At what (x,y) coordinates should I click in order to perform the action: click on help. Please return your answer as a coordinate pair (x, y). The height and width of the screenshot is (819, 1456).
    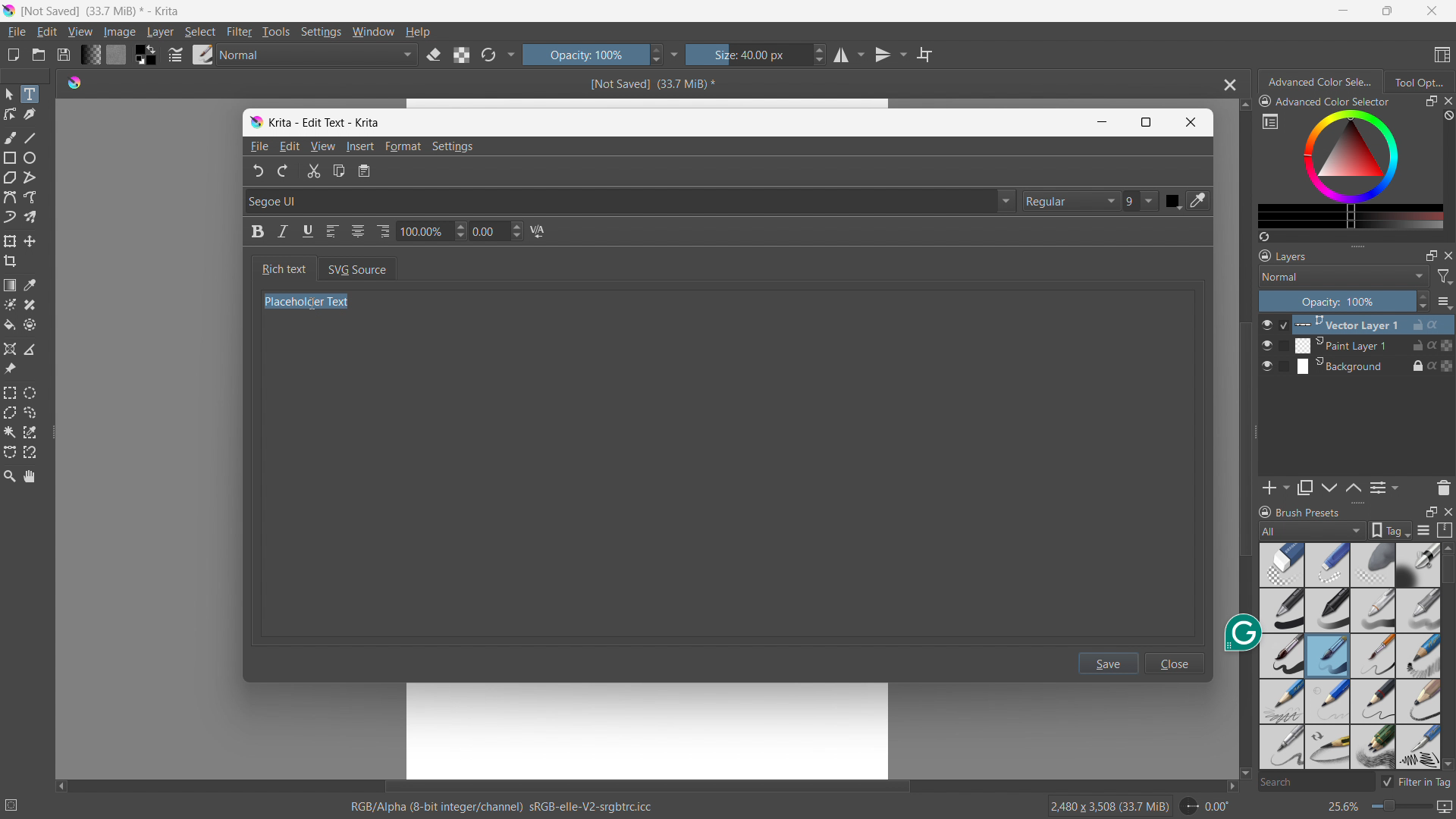
    Looking at the image, I should click on (418, 31).